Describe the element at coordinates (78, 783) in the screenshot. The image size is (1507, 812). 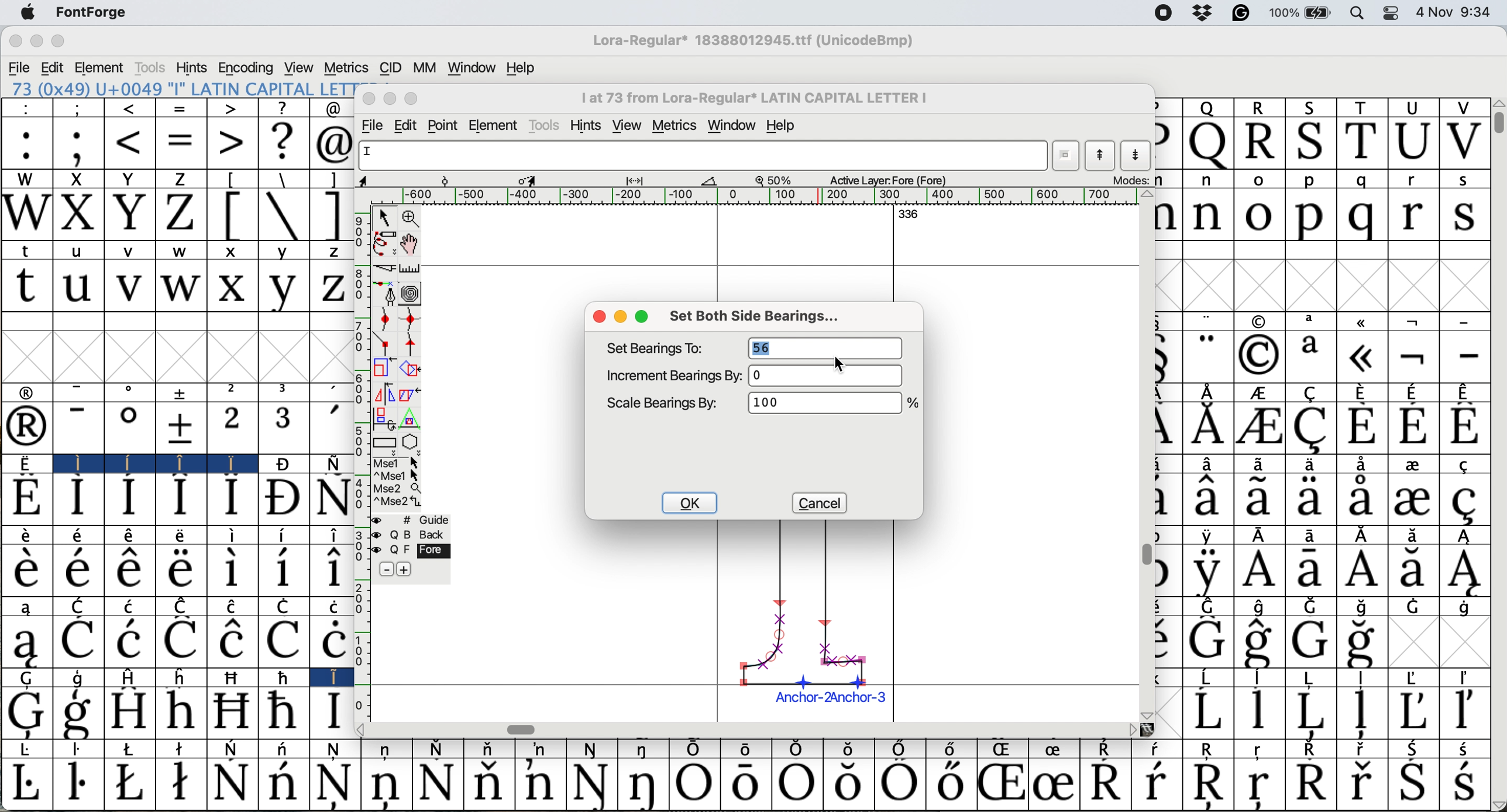
I see `Symbol` at that location.